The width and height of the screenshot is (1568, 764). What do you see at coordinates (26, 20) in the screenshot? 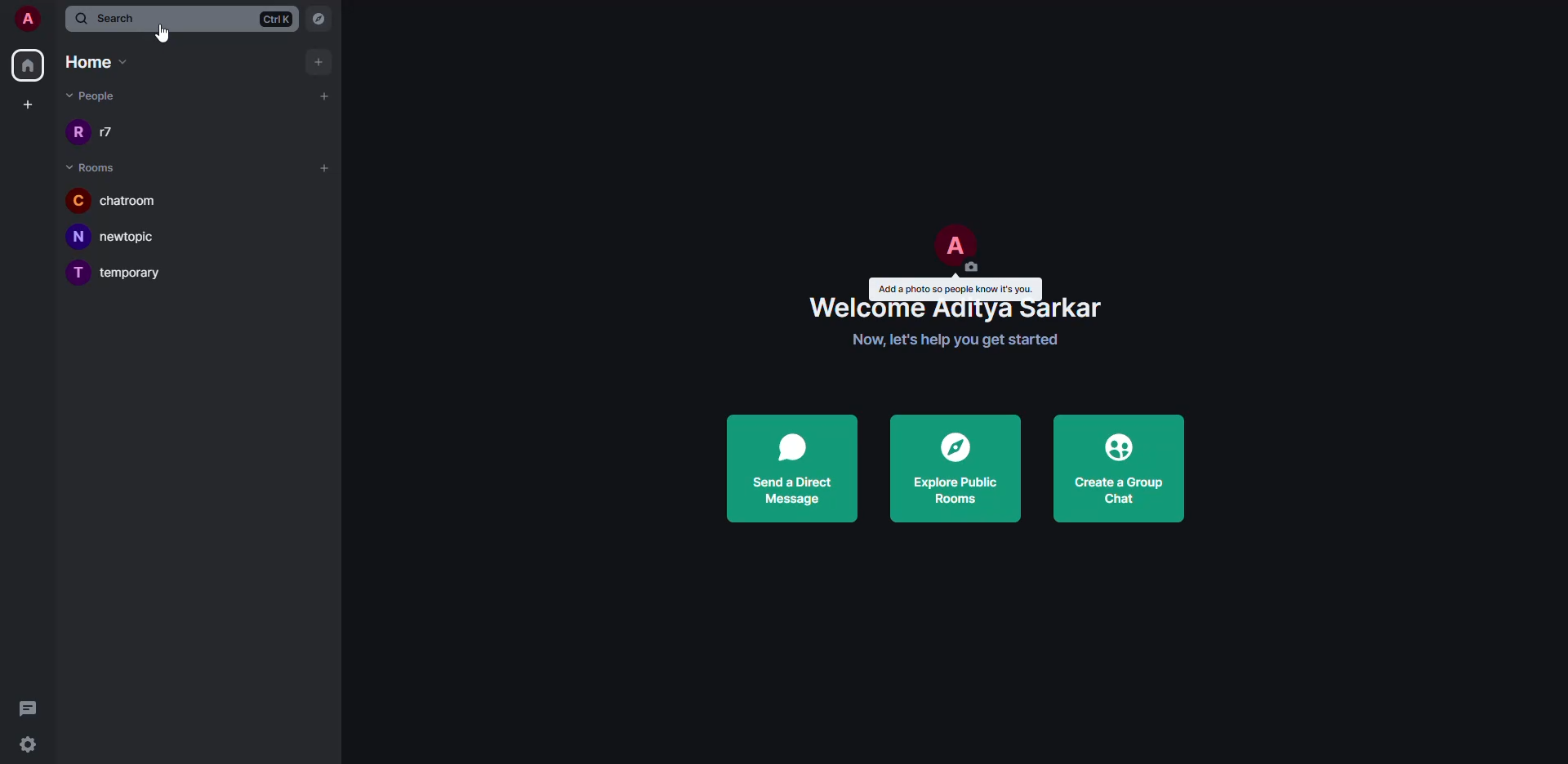
I see `account` at bounding box center [26, 20].